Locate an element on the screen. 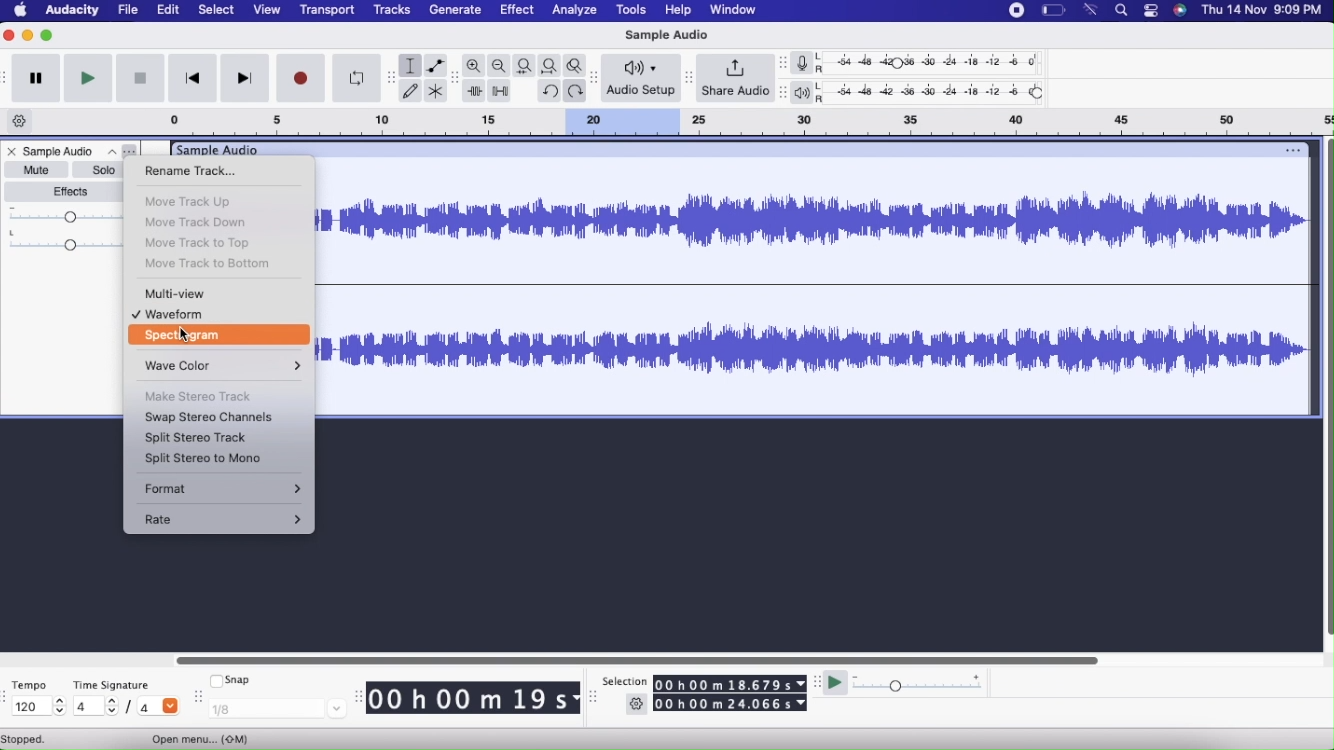 The width and height of the screenshot is (1334, 750). Home is located at coordinates (22, 11).